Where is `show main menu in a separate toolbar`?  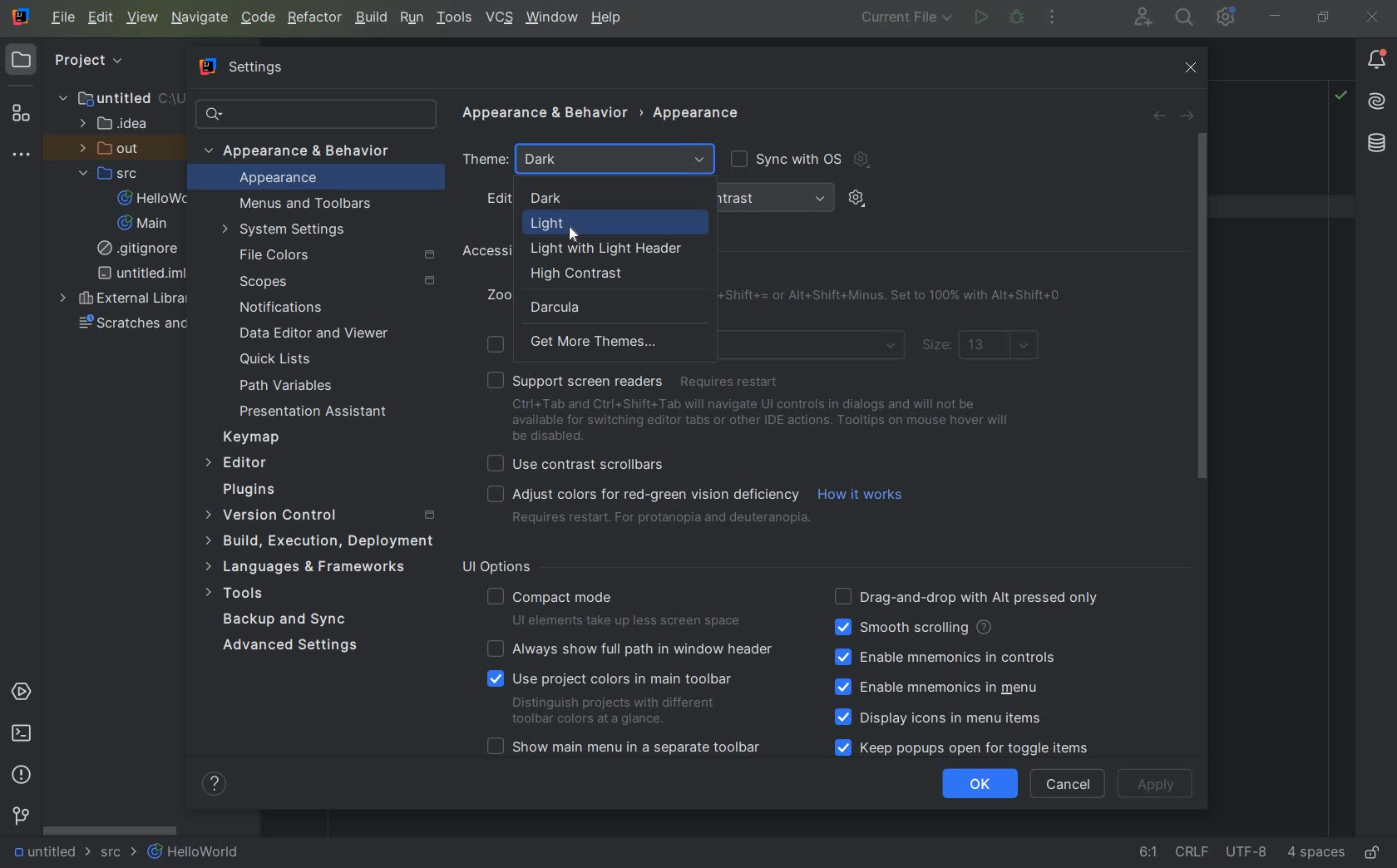 show main menu in a separate toolbar is located at coordinates (629, 749).